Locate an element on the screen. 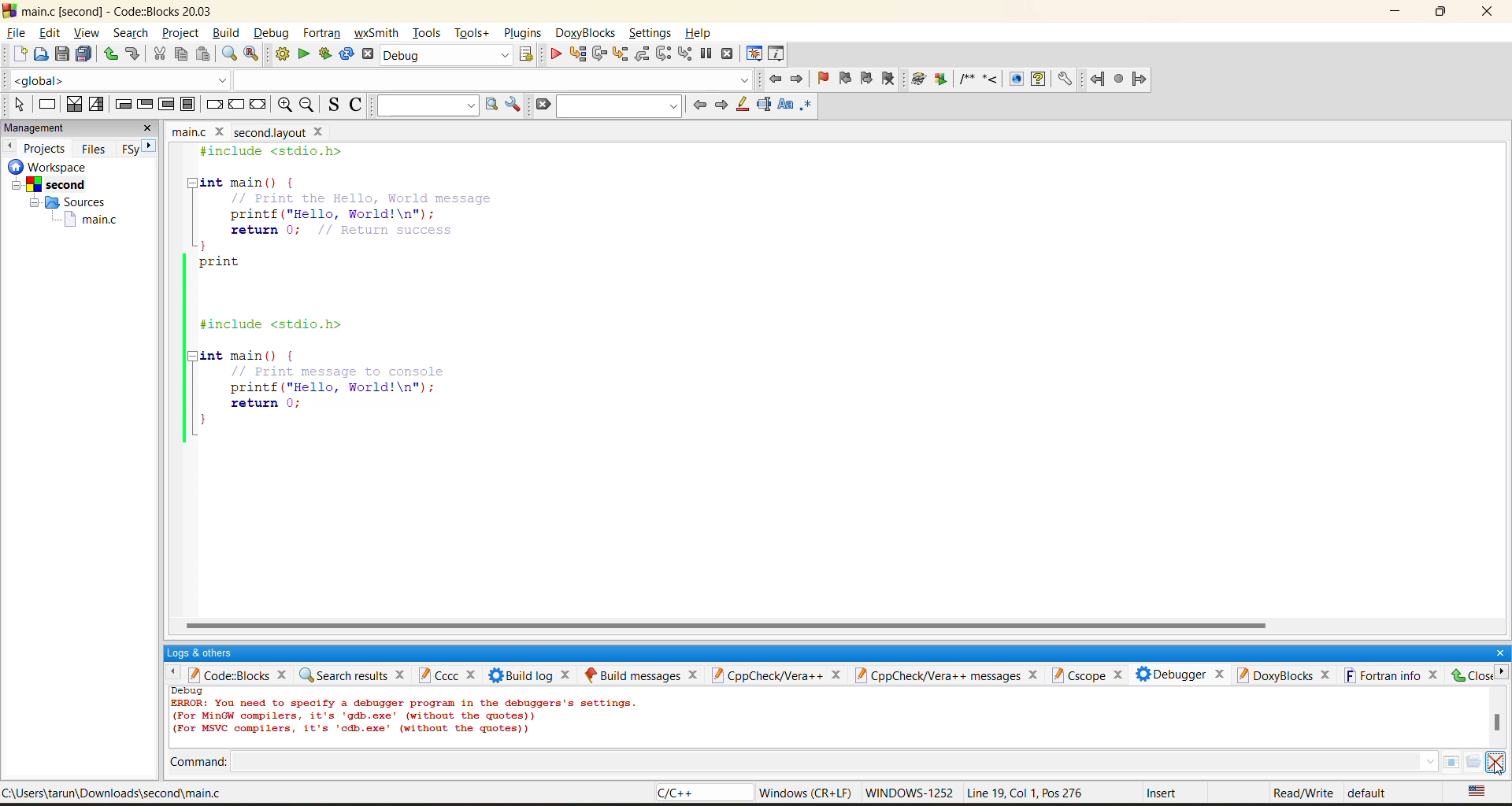  entry condition loop is located at coordinates (124, 105).